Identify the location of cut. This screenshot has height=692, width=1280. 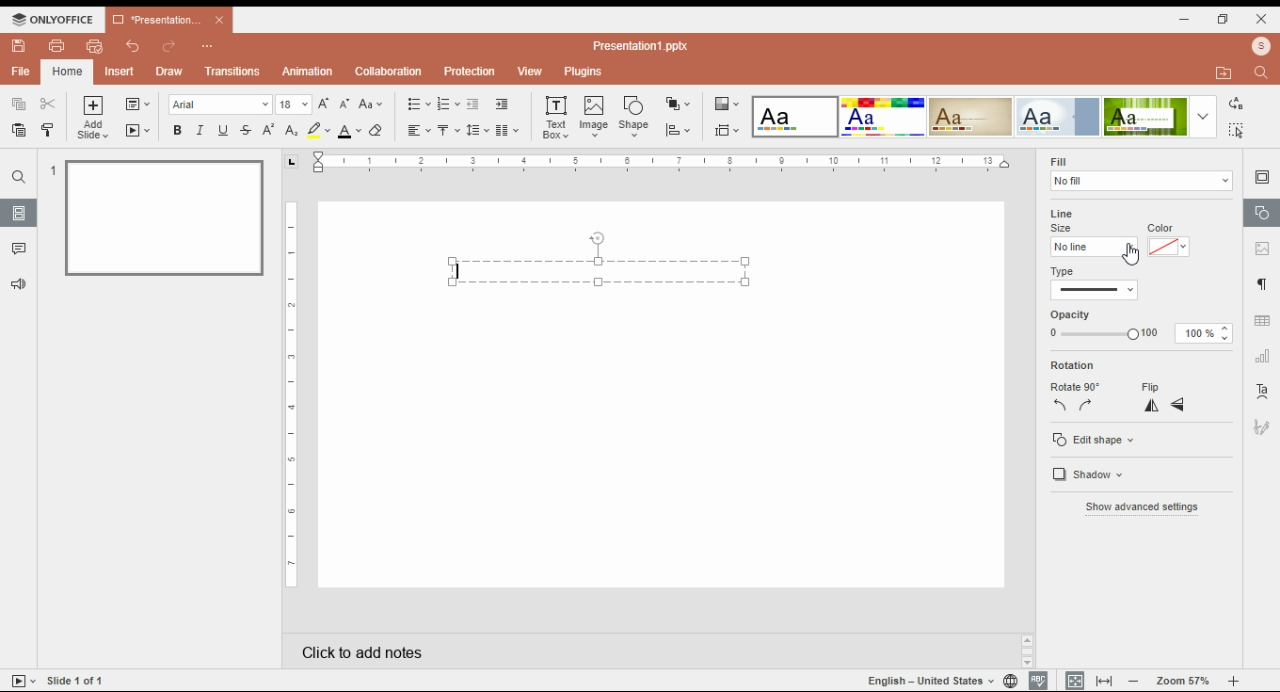
(48, 103).